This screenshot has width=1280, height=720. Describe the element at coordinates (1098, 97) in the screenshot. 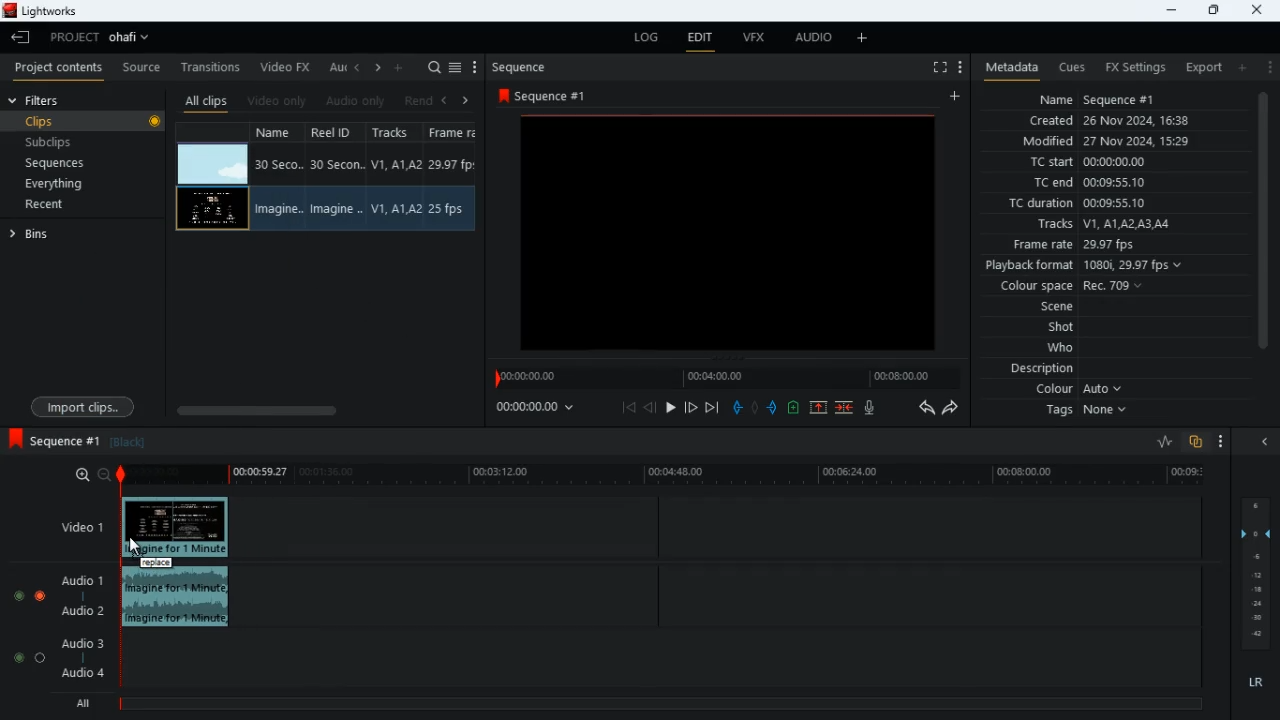

I see `name` at that location.